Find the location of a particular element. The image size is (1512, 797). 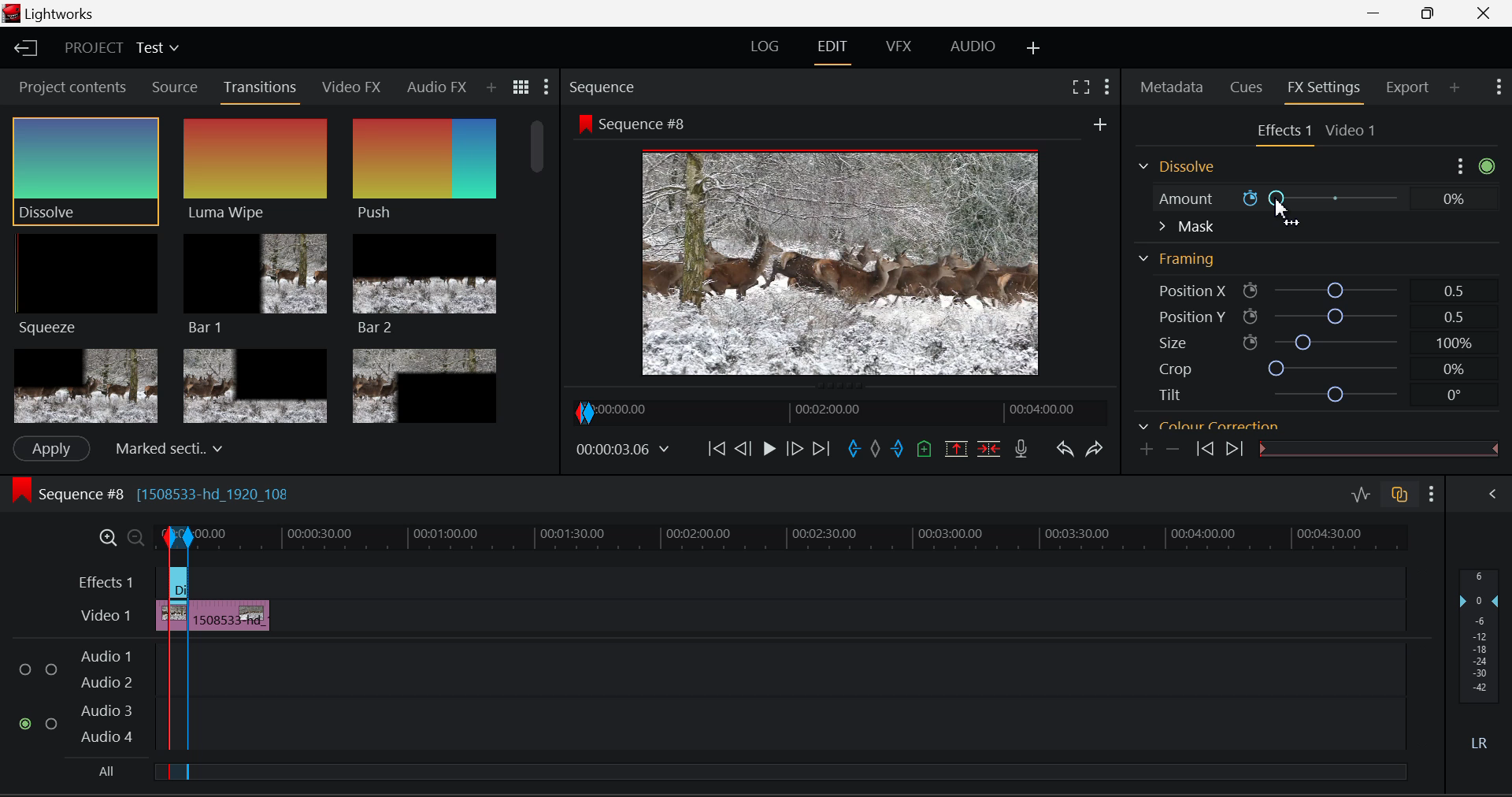

Audio FX is located at coordinates (437, 87).